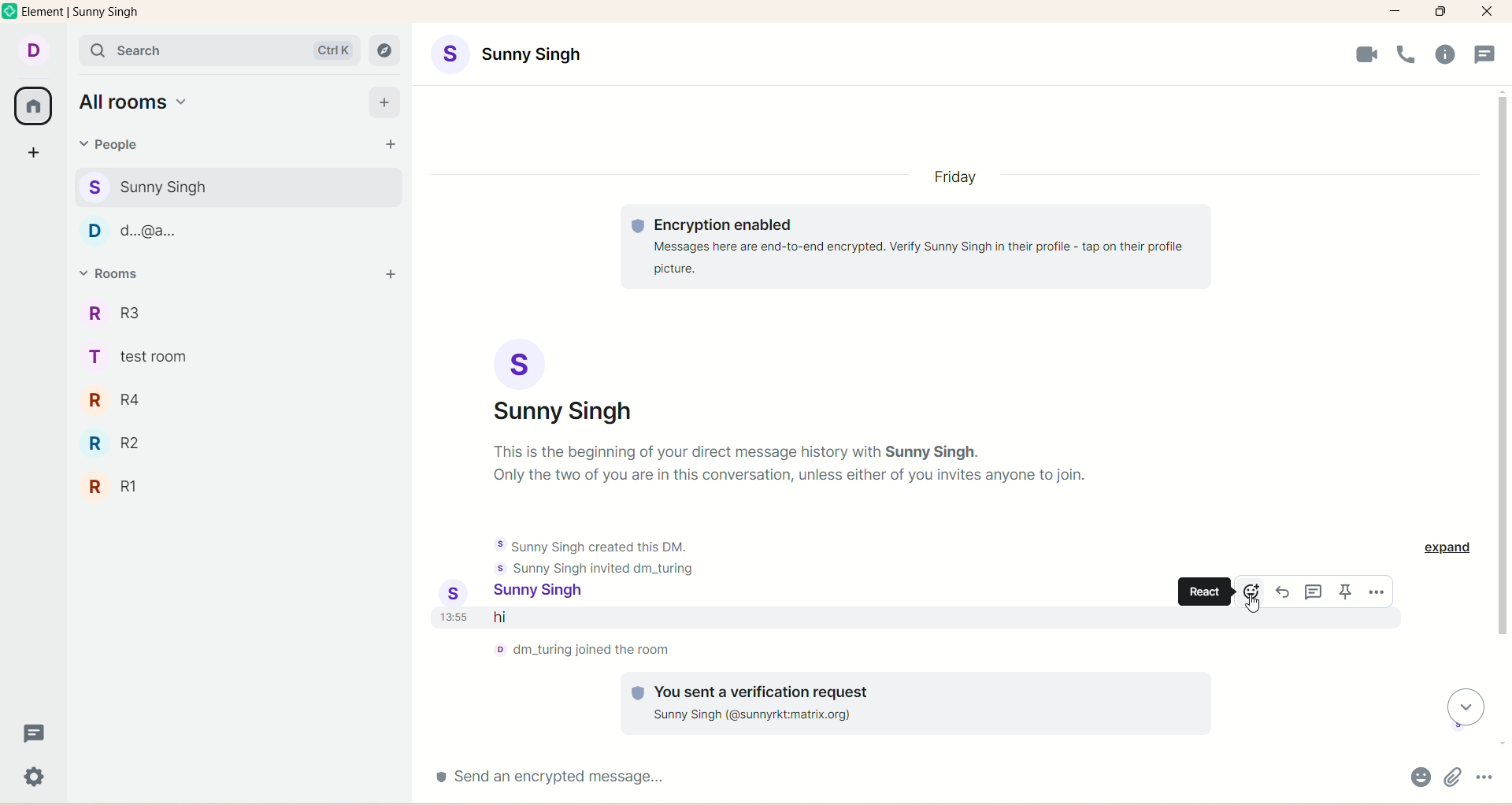 This screenshot has height=805, width=1512. I want to click on account, so click(563, 382).